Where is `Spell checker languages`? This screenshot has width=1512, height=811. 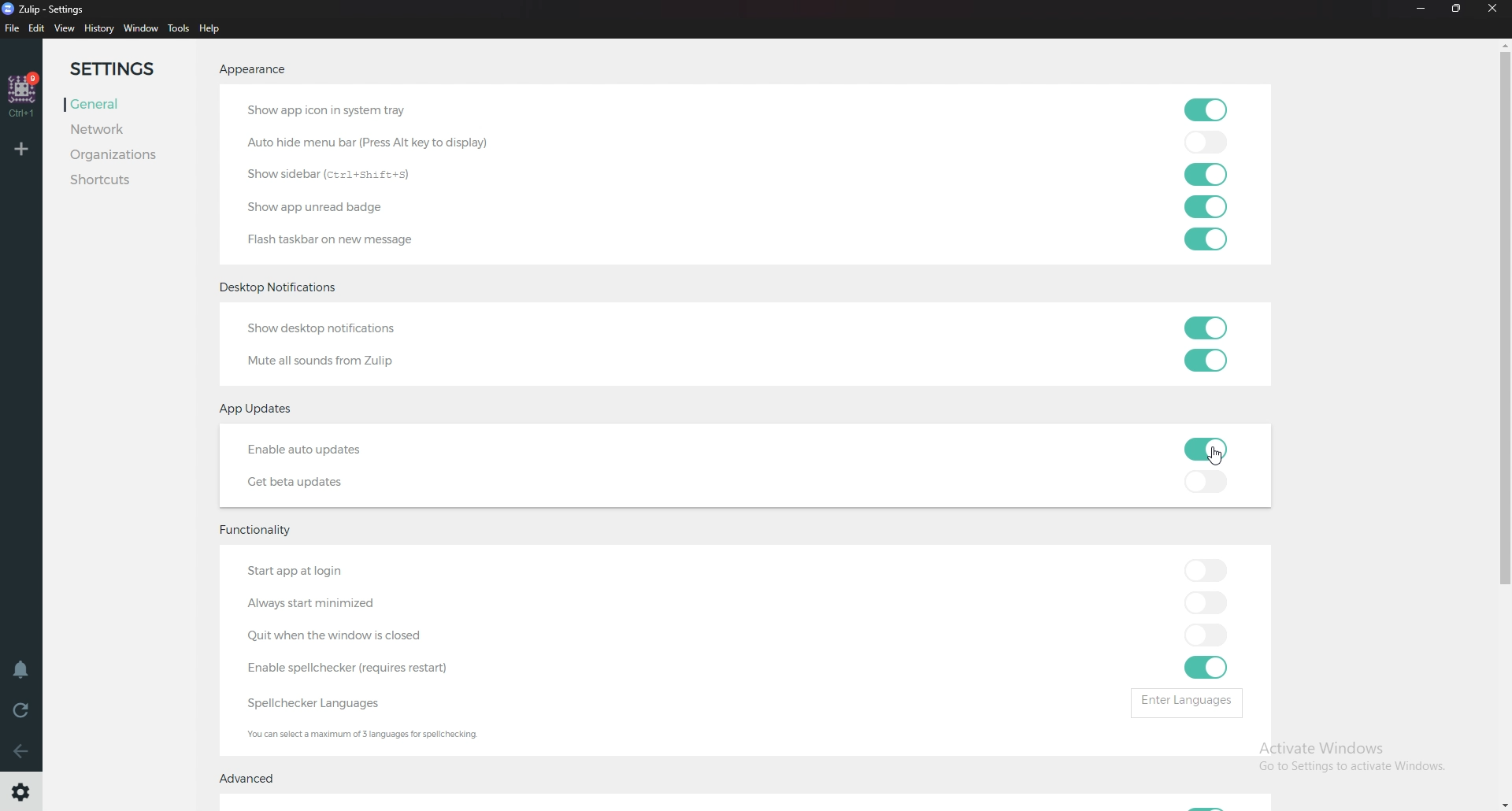 Spell checker languages is located at coordinates (310, 705).